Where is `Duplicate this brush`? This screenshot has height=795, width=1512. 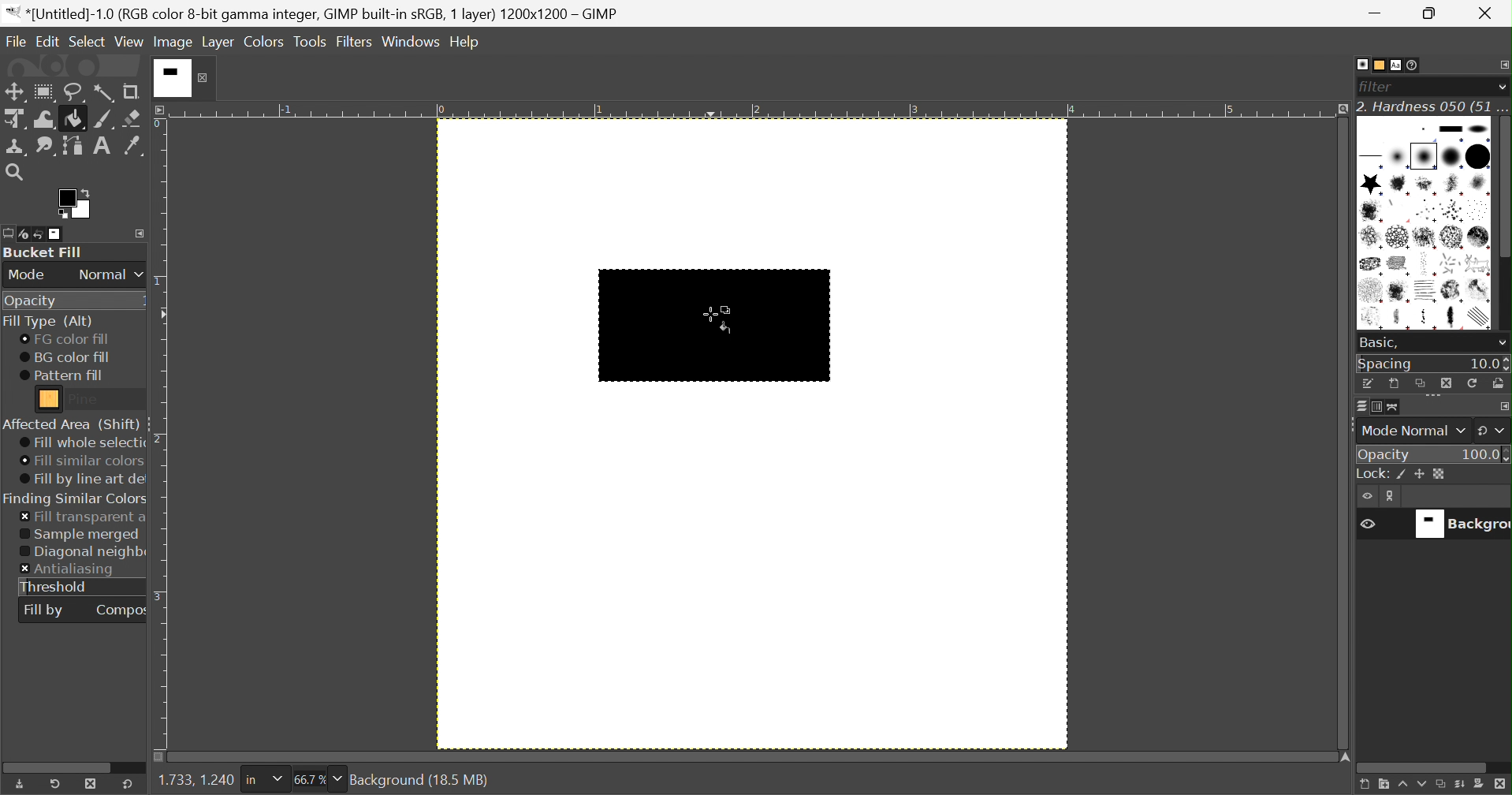 Duplicate this brush is located at coordinates (1420, 383).